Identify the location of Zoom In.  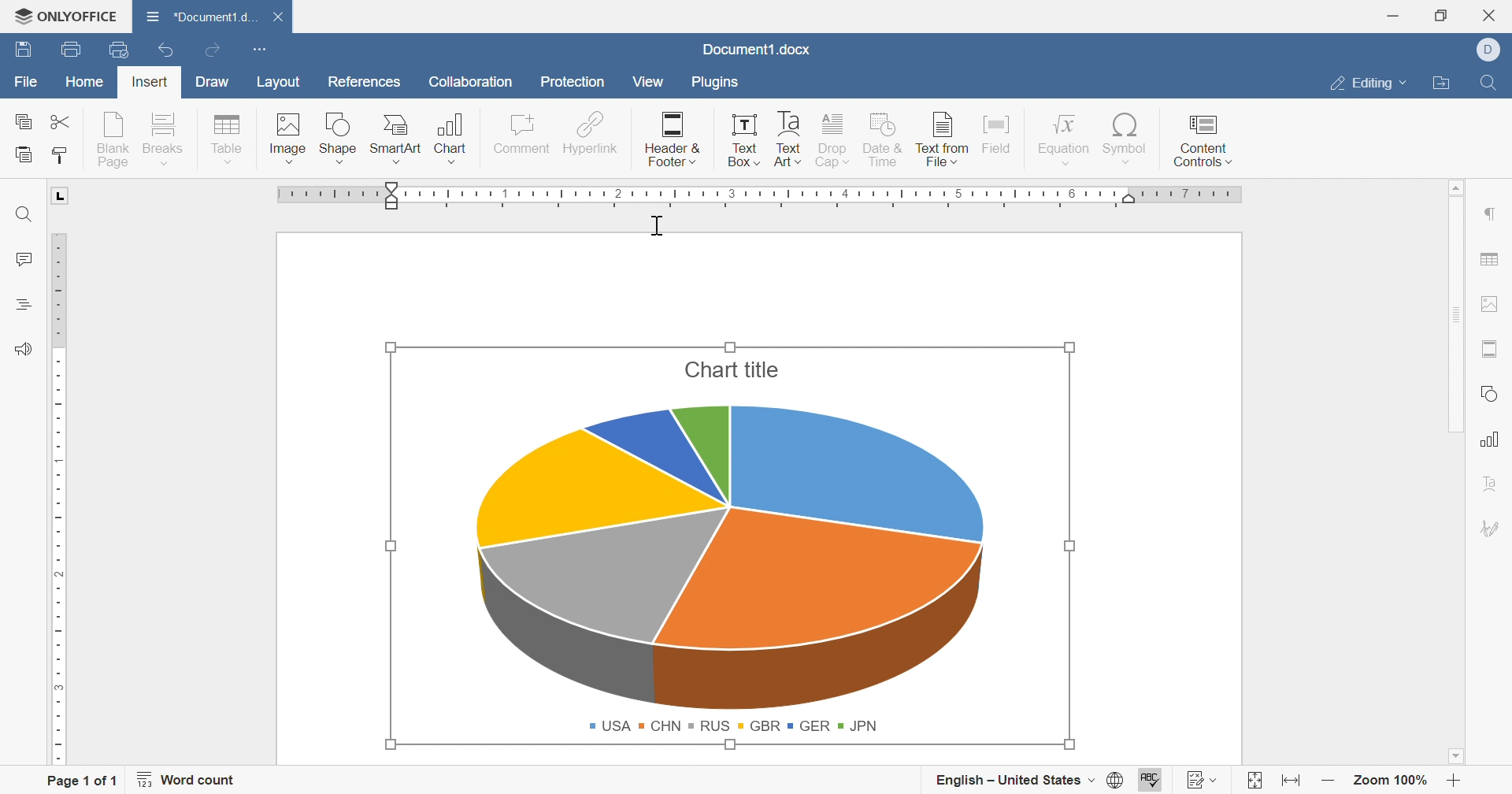
(1455, 779).